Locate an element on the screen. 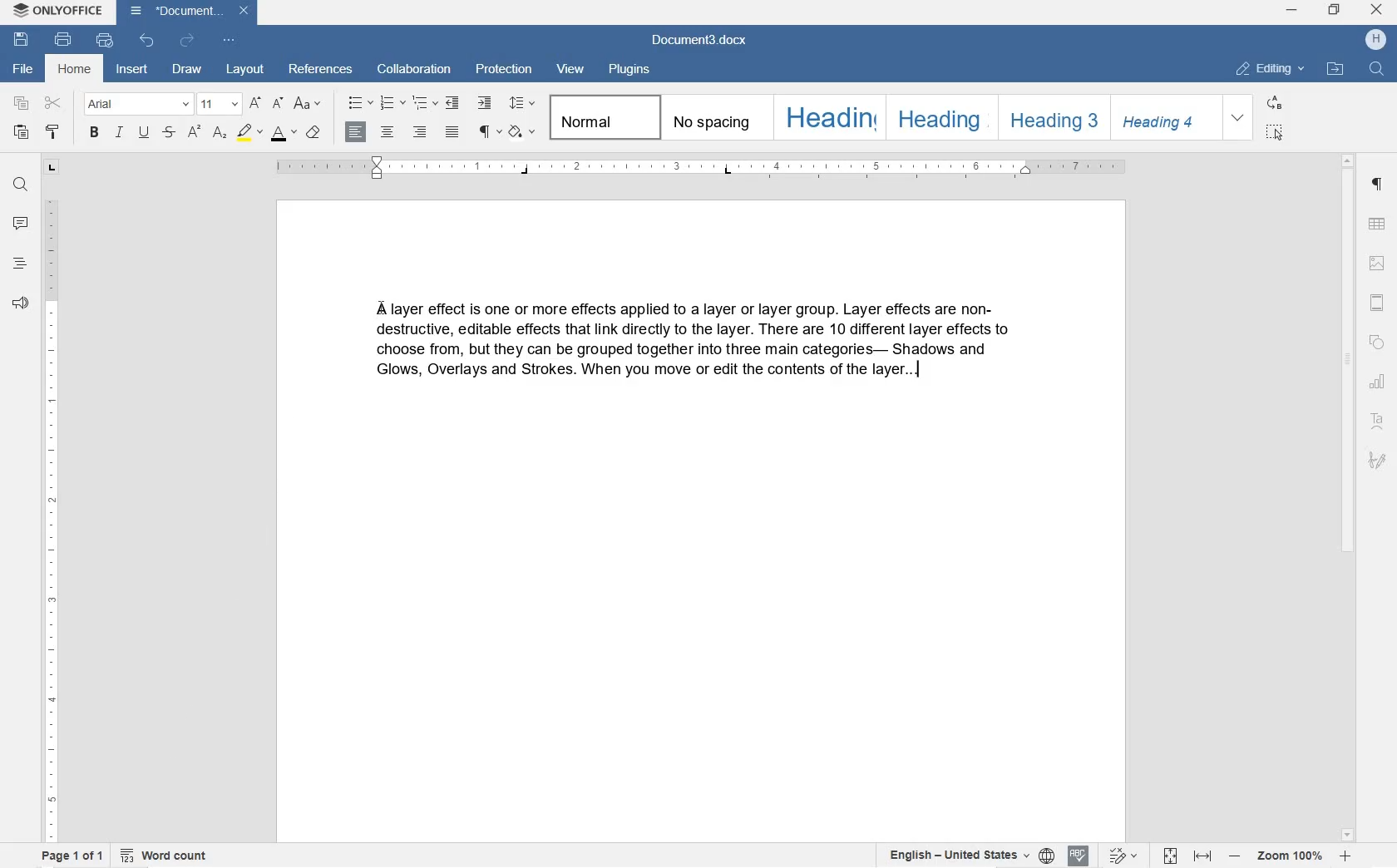 This screenshot has width=1397, height=868. PRINT is located at coordinates (62, 39).